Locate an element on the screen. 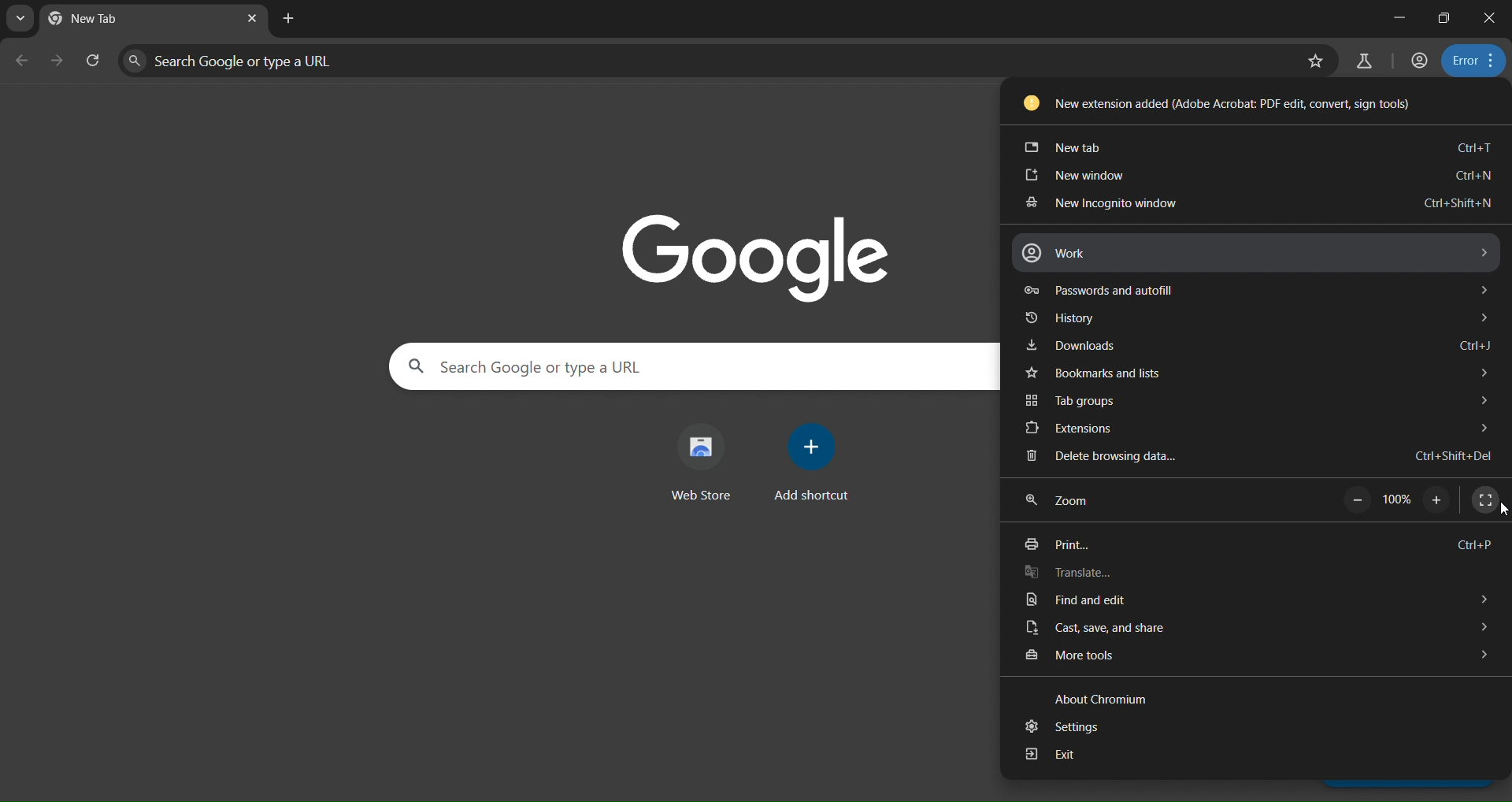  downloads is located at coordinates (1256, 345).